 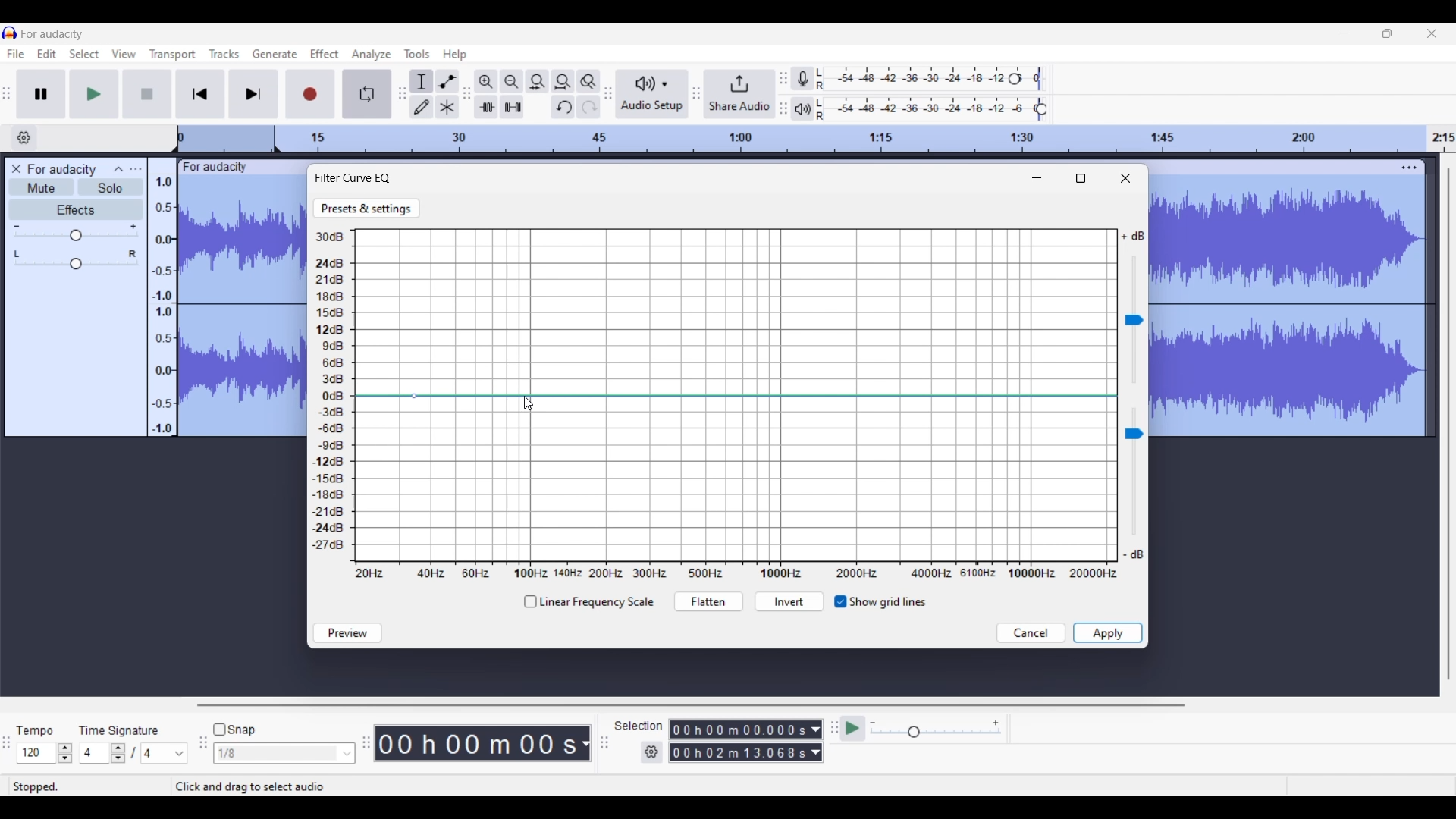 What do you see at coordinates (1409, 168) in the screenshot?
I see `Track settings` at bounding box center [1409, 168].